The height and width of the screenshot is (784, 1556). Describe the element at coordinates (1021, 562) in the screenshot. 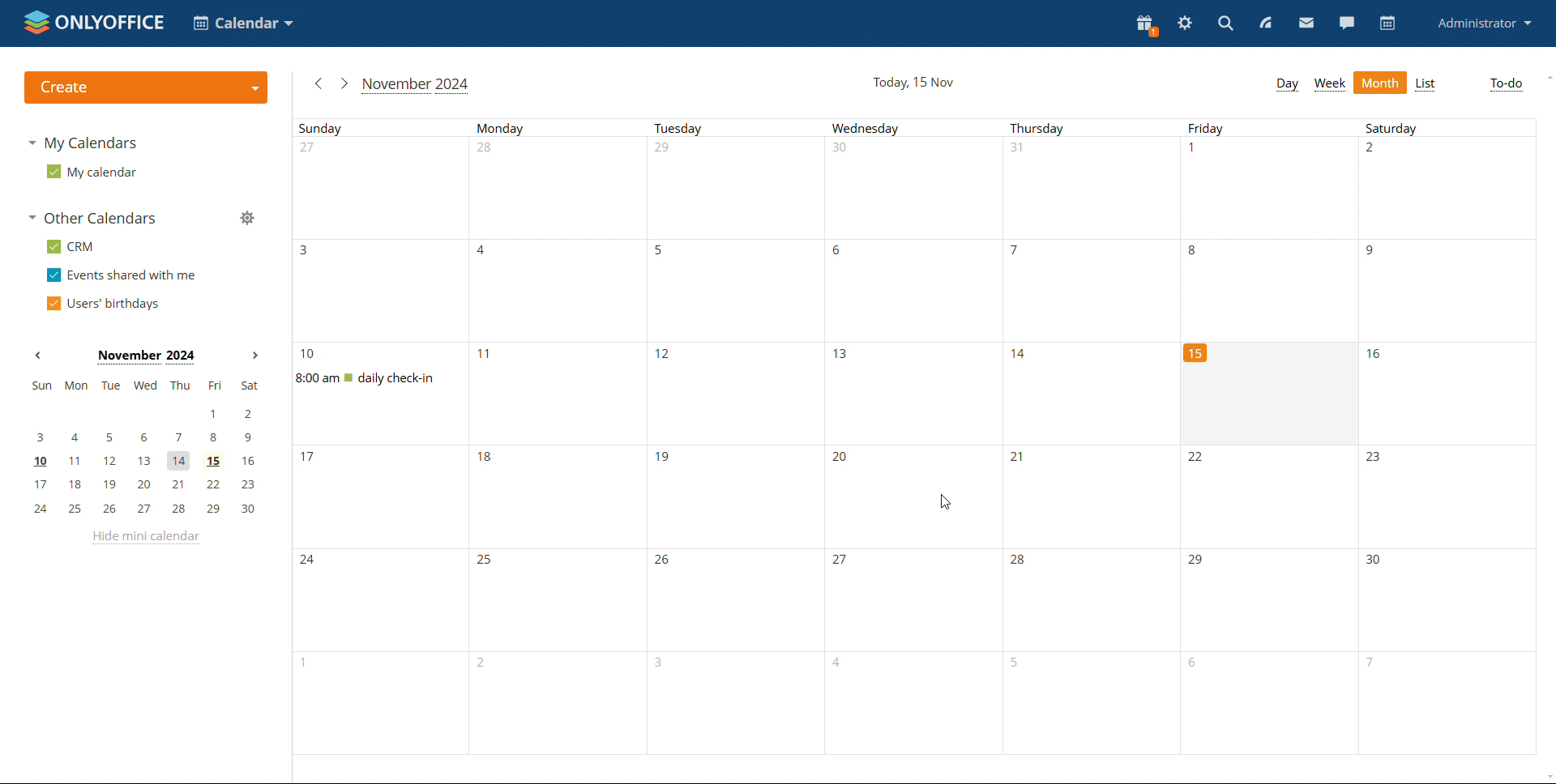

I see `Number` at that location.